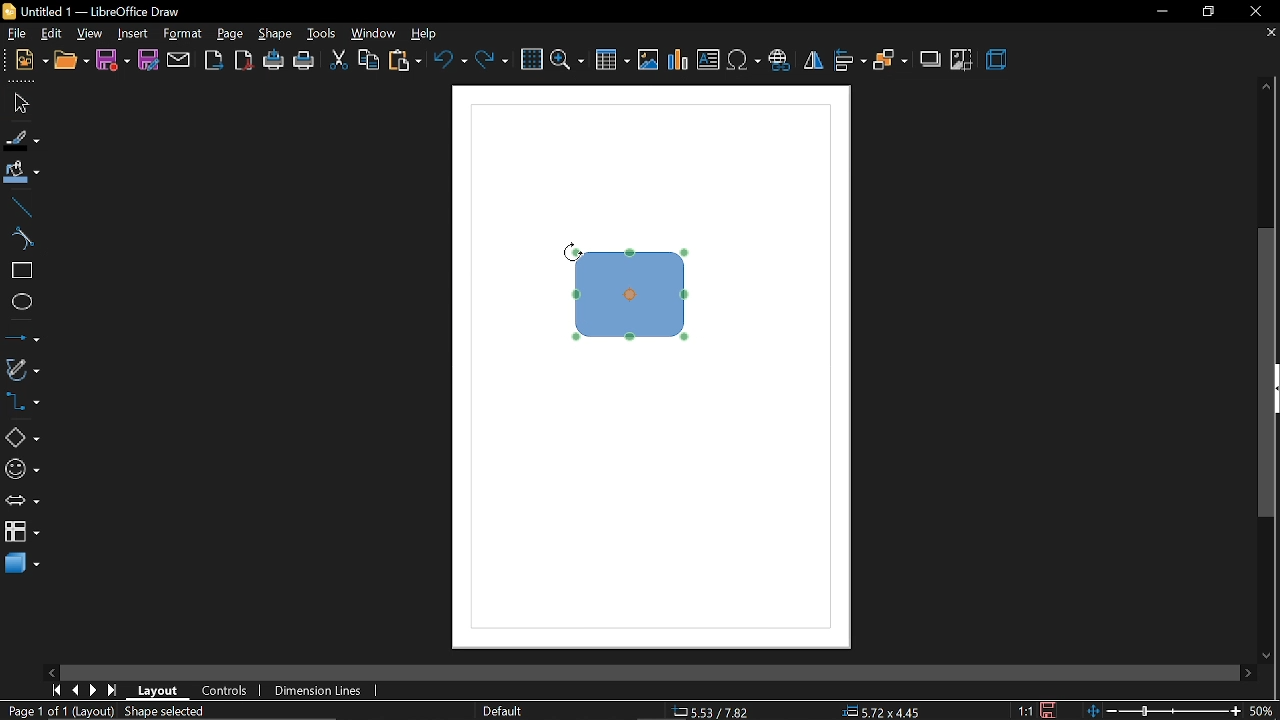  Describe the element at coordinates (611, 61) in the screenshot. I see `insert table` at that location.